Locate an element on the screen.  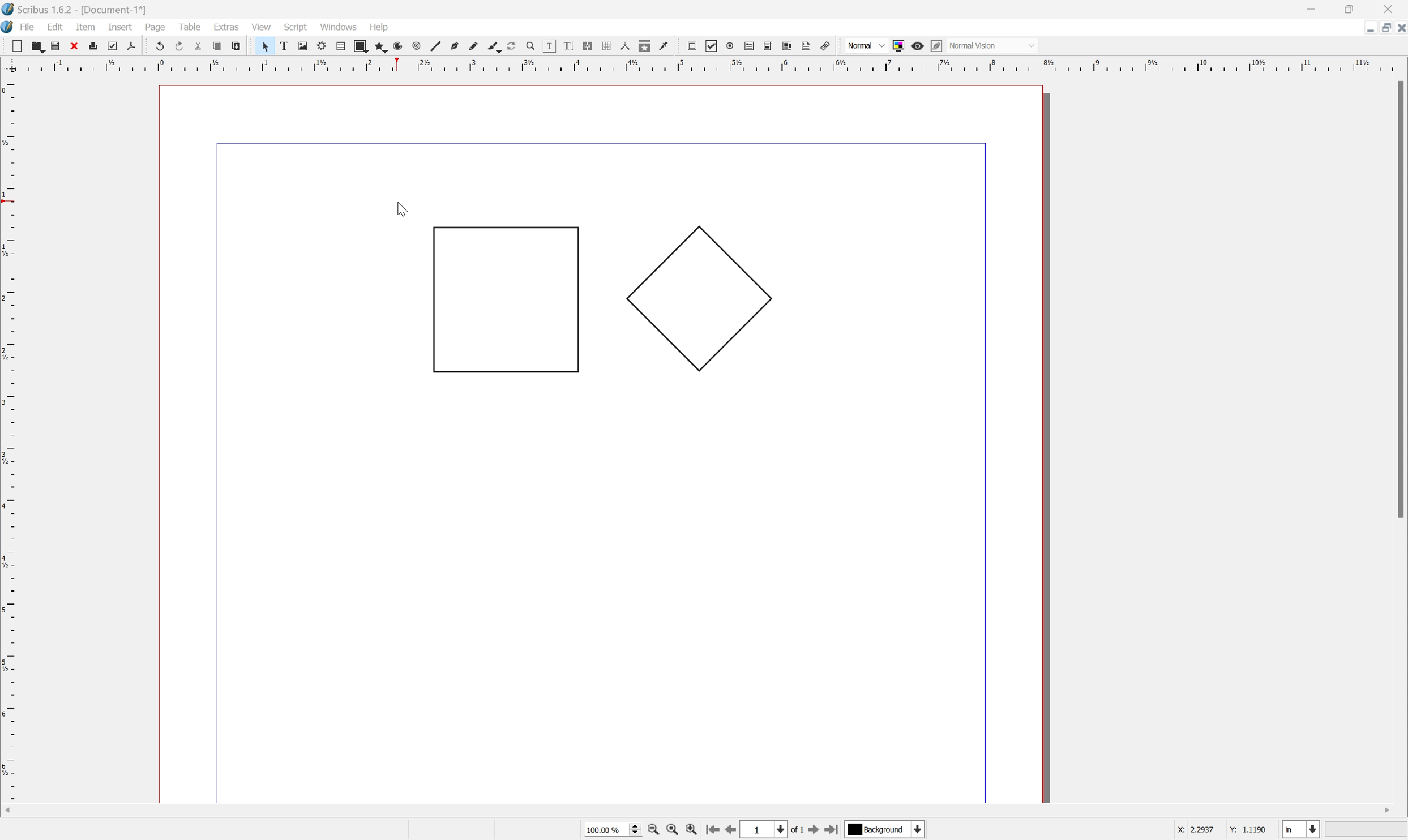
new is located at coordinates (12, 46).